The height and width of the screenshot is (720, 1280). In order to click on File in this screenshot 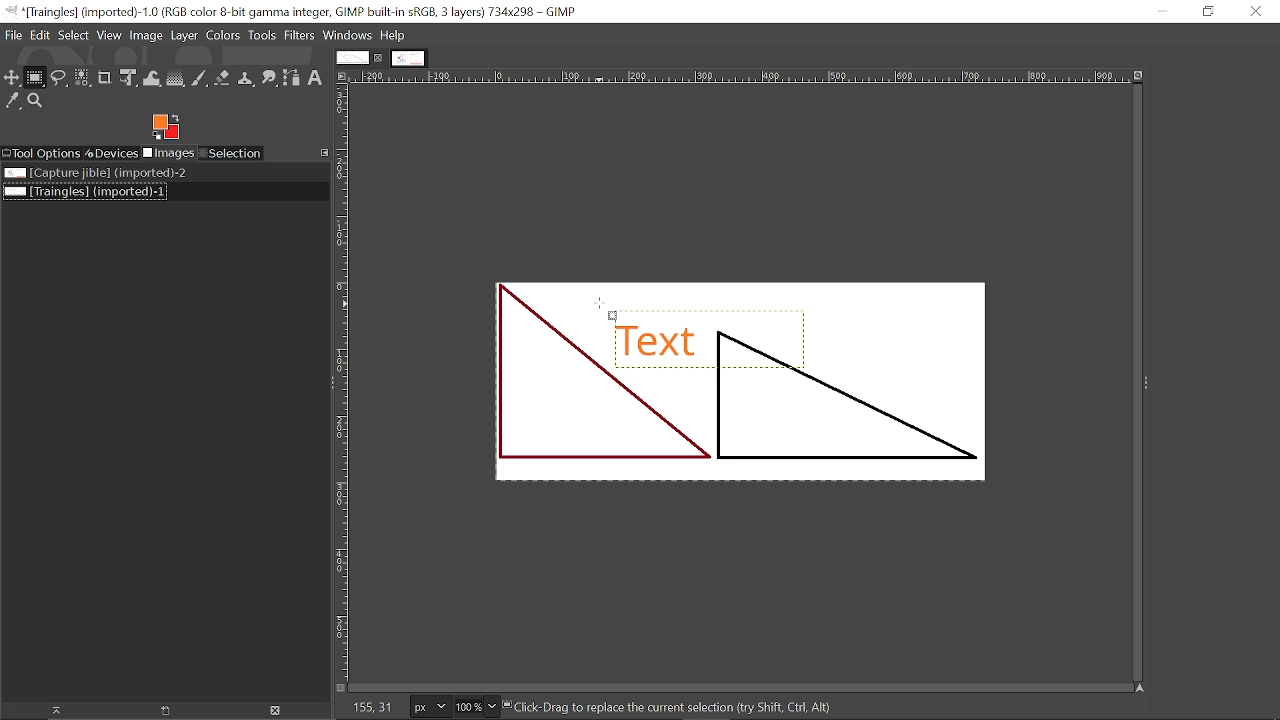, I will do `click(13, 35)`.